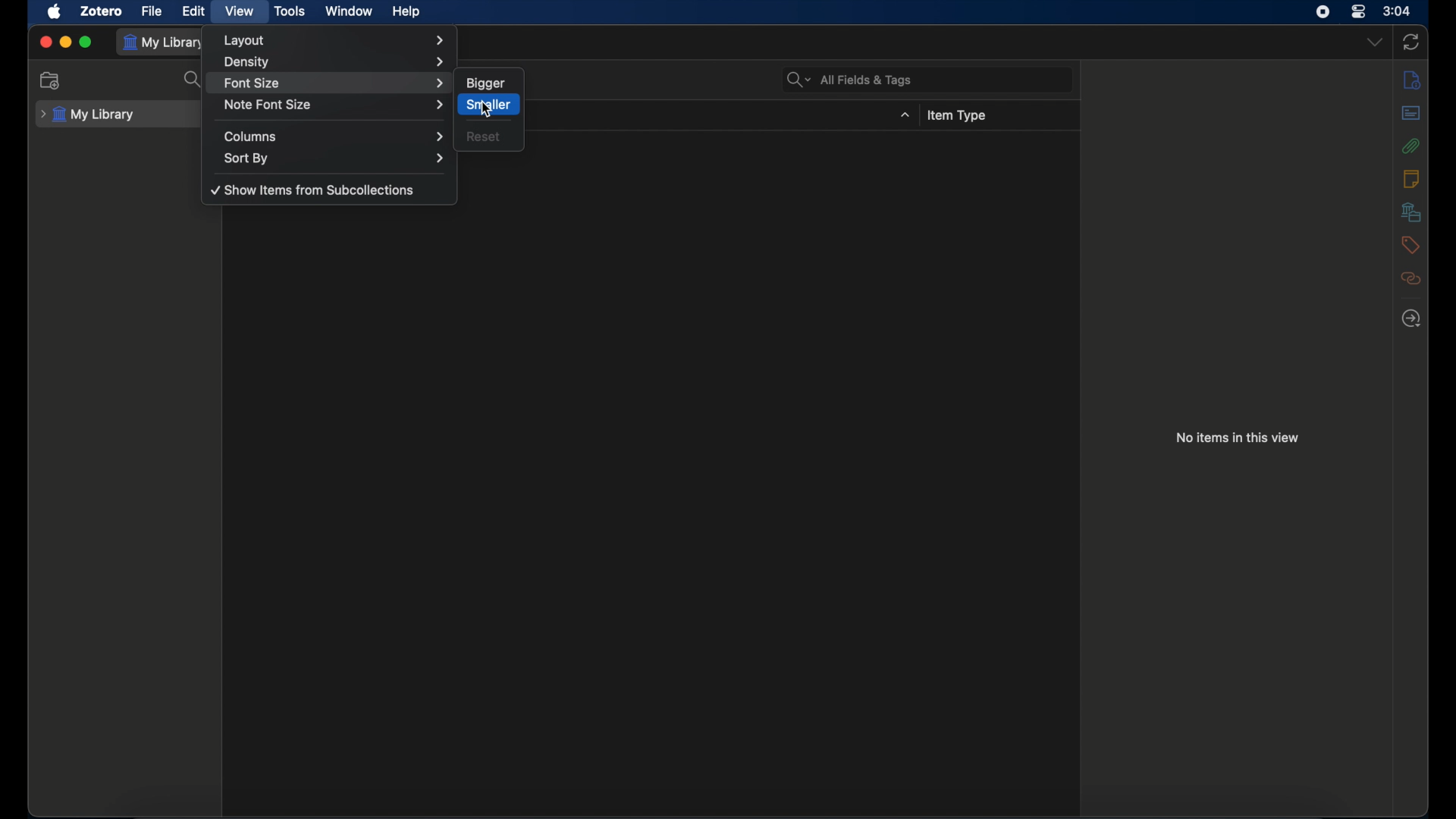 This screenshot has width=1456, height=819. What do you see at coordinates (290, 11) in the screenshot?
I see `tools` at bounding box center [290, 11].